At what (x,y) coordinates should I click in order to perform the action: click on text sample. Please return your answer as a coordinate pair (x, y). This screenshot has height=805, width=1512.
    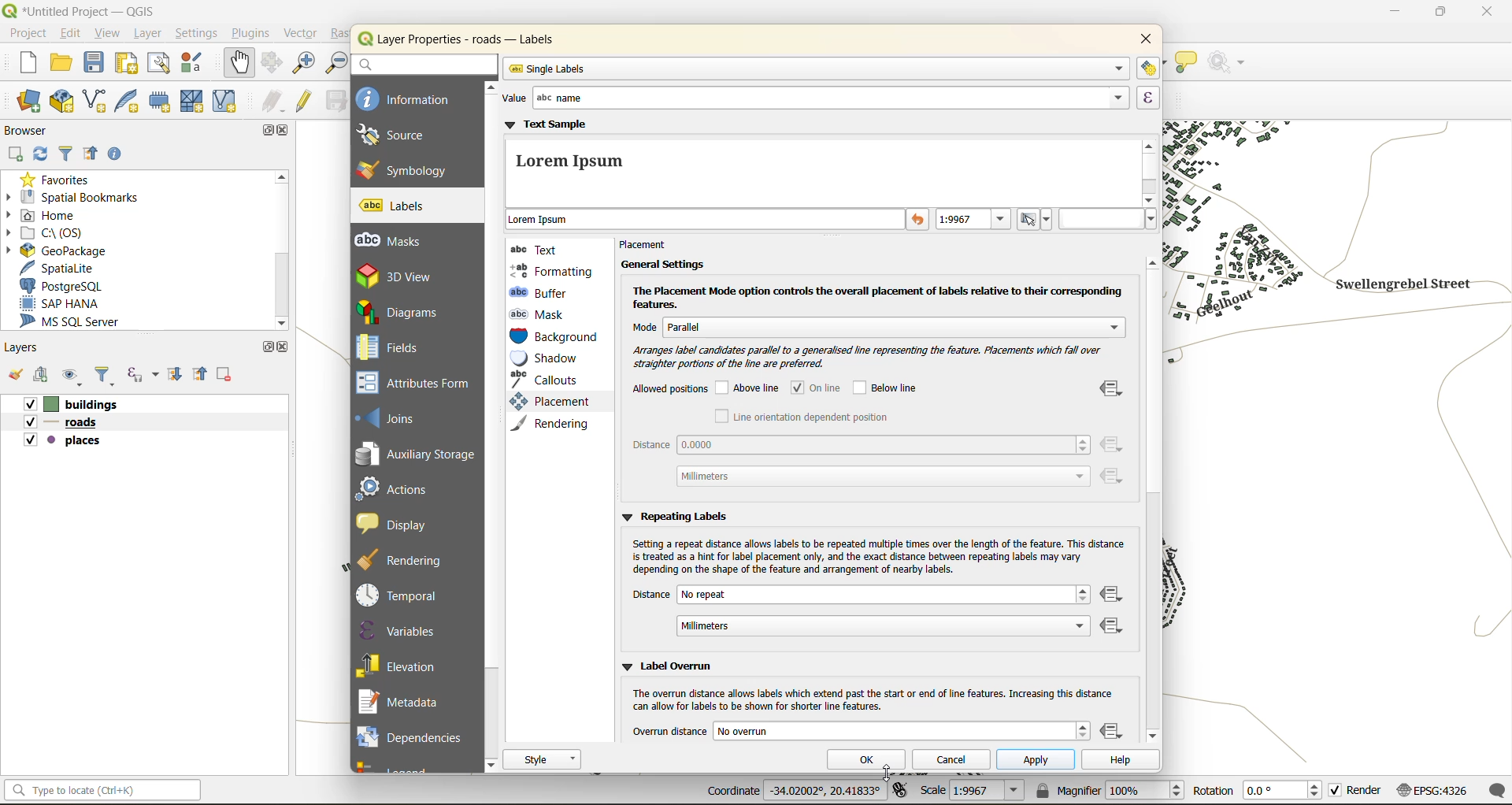
    Looking at the image, I should click on (821, 162).